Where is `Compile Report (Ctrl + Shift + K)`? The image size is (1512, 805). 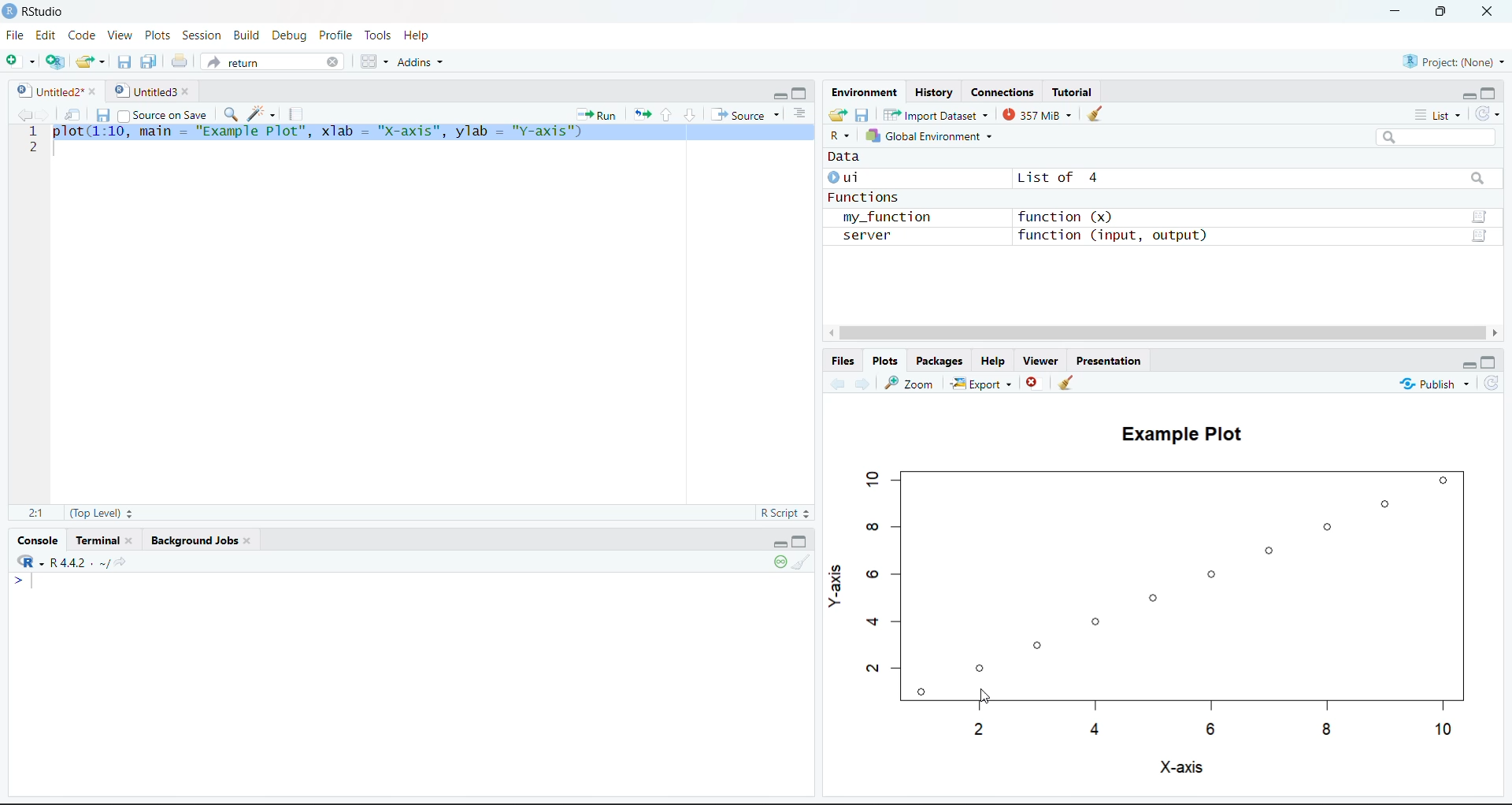
Compile Report (Ctrl + Shift + K) is located at coordinates (299, 113).